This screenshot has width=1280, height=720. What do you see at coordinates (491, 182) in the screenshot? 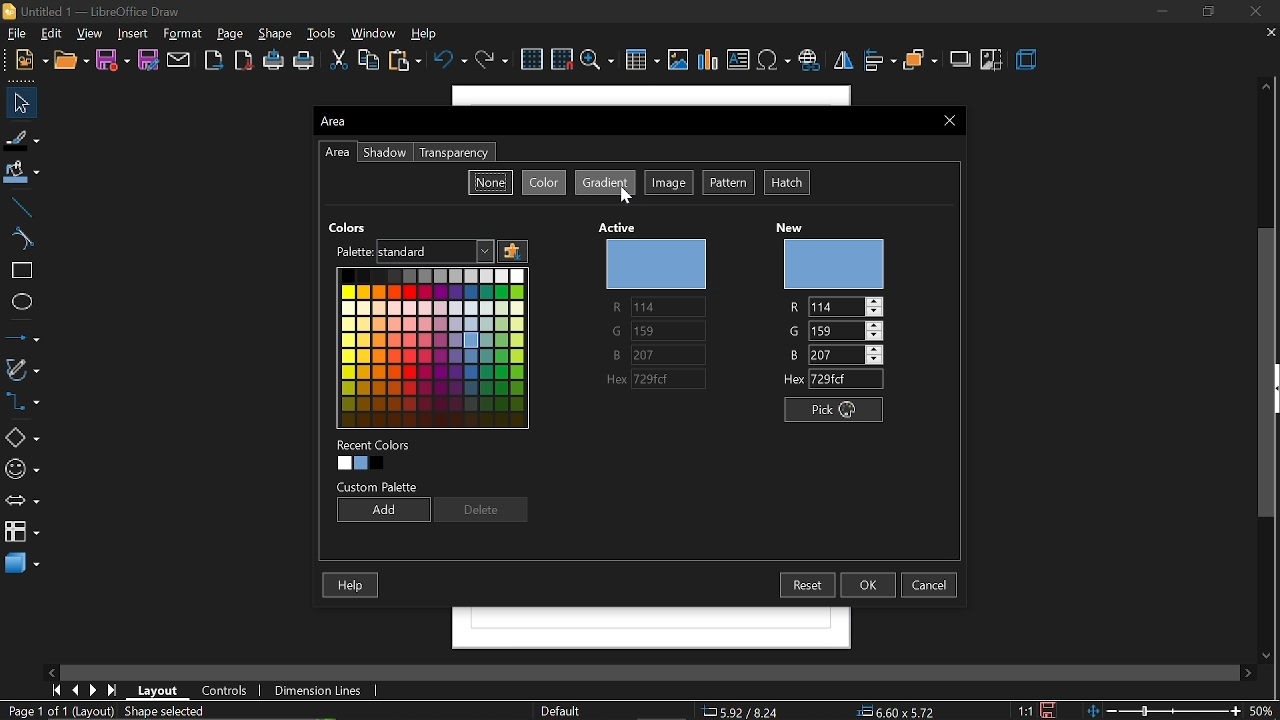
I see `None` at bounding box center [491, 182].